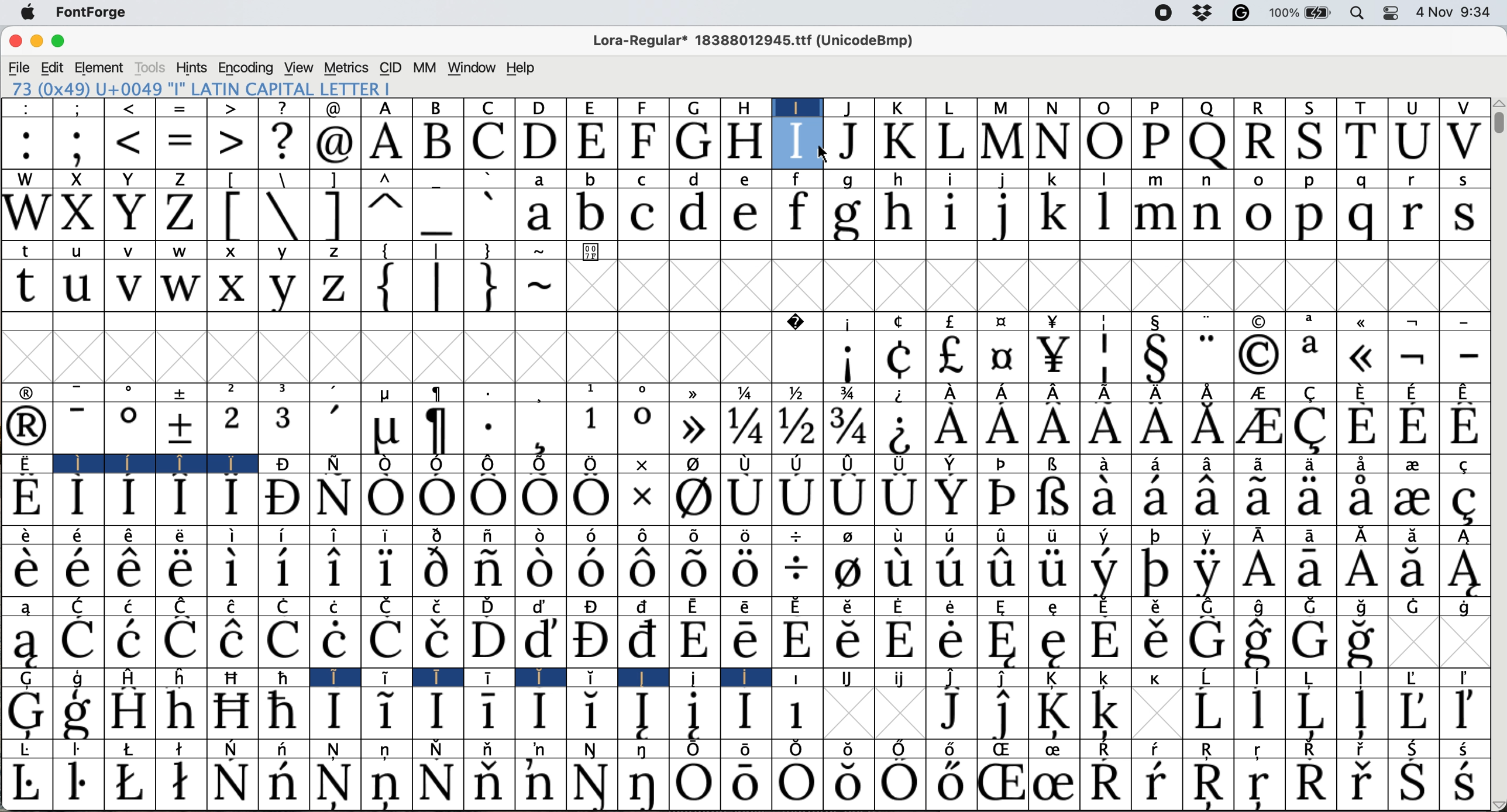 The image size is (1507, 812). Describe the element at coordinates (797, 392) in the screenshot. I see `1/2` at that location.